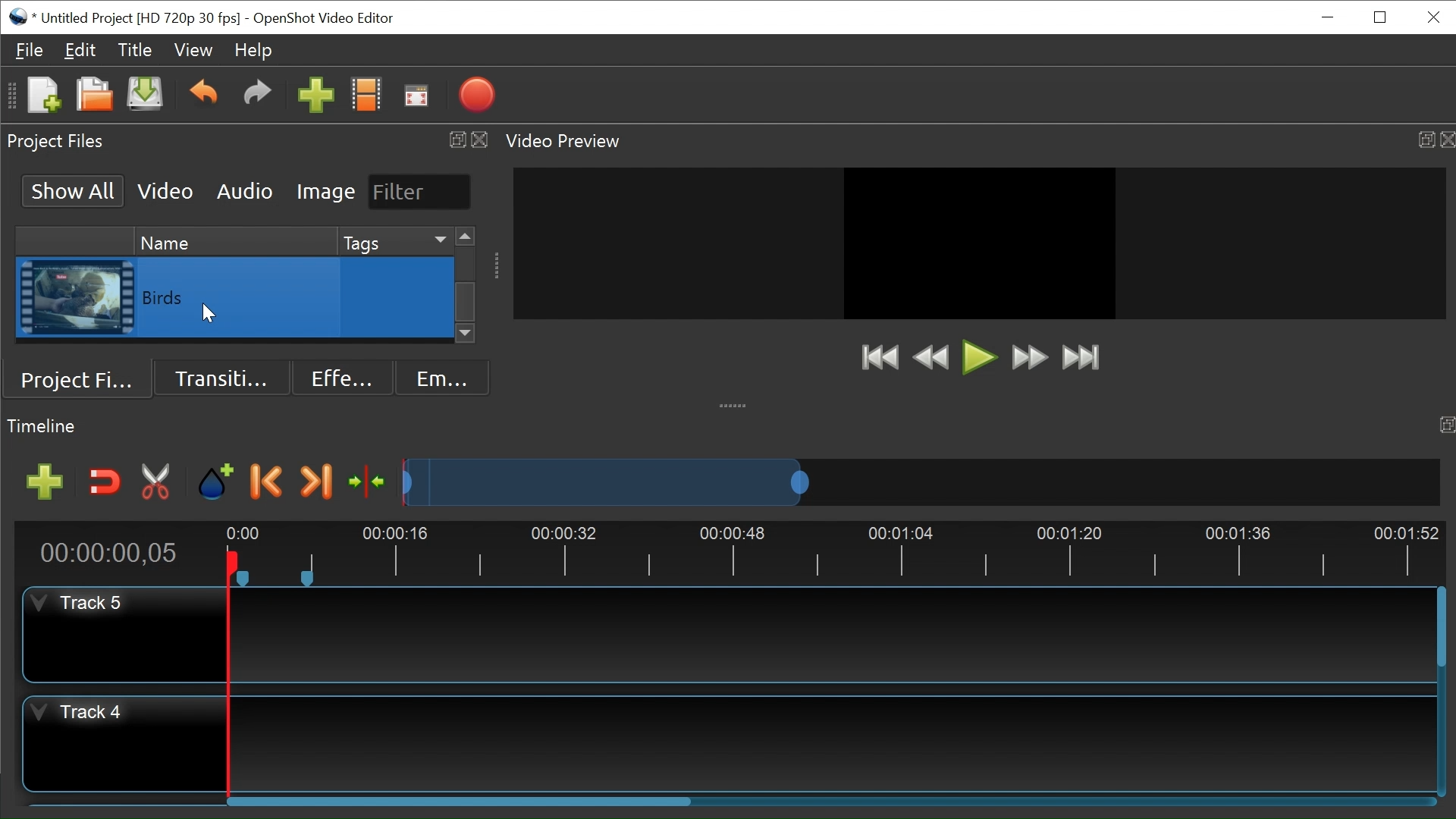  Describe the element at coordinates (233, 240) in the screenshot. I see `Name` at that location.